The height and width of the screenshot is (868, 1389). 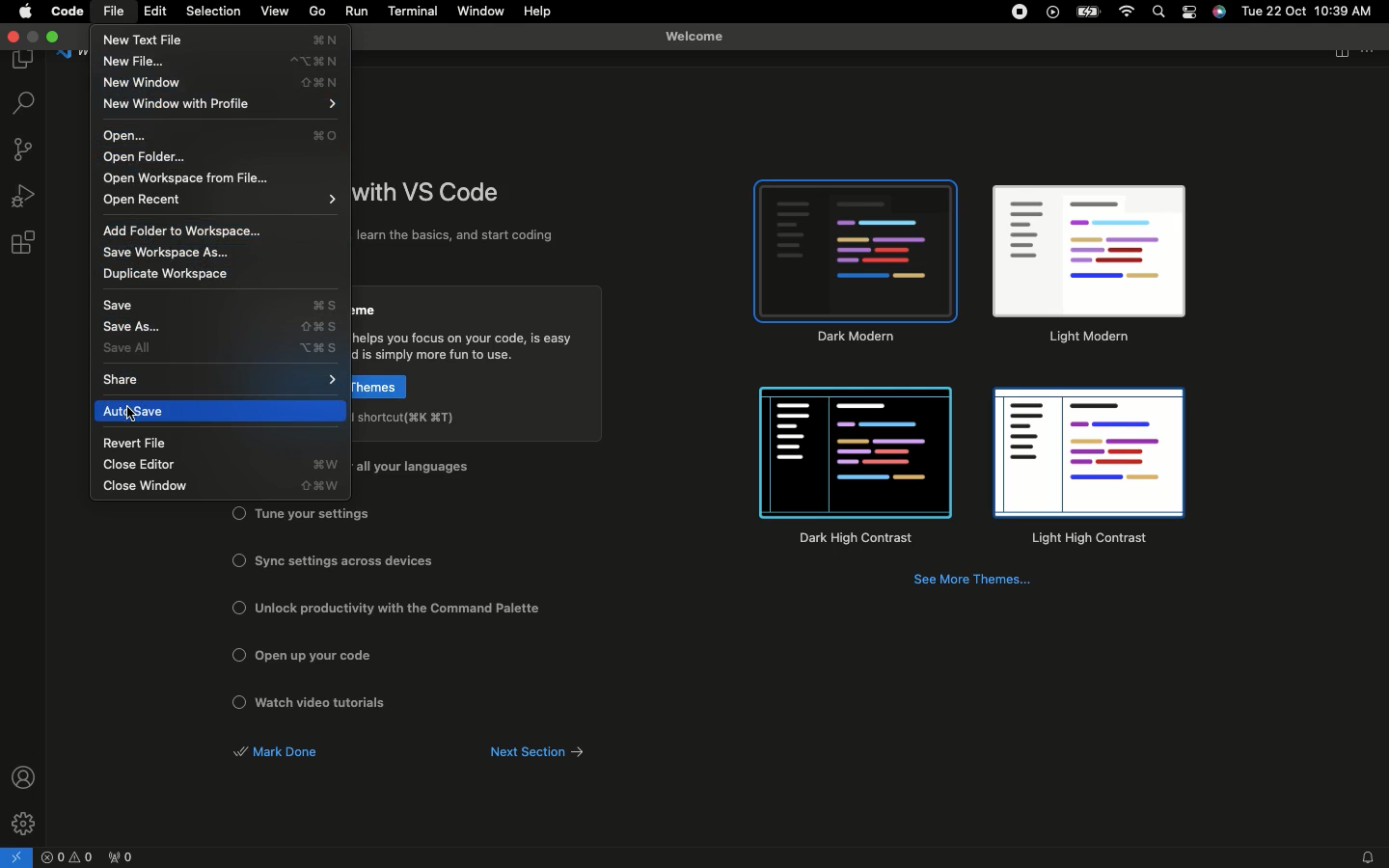 What do you see at coordinates (25, 13) in the screenshot?
I see `Apple logo` at bounding box center [25, 13].